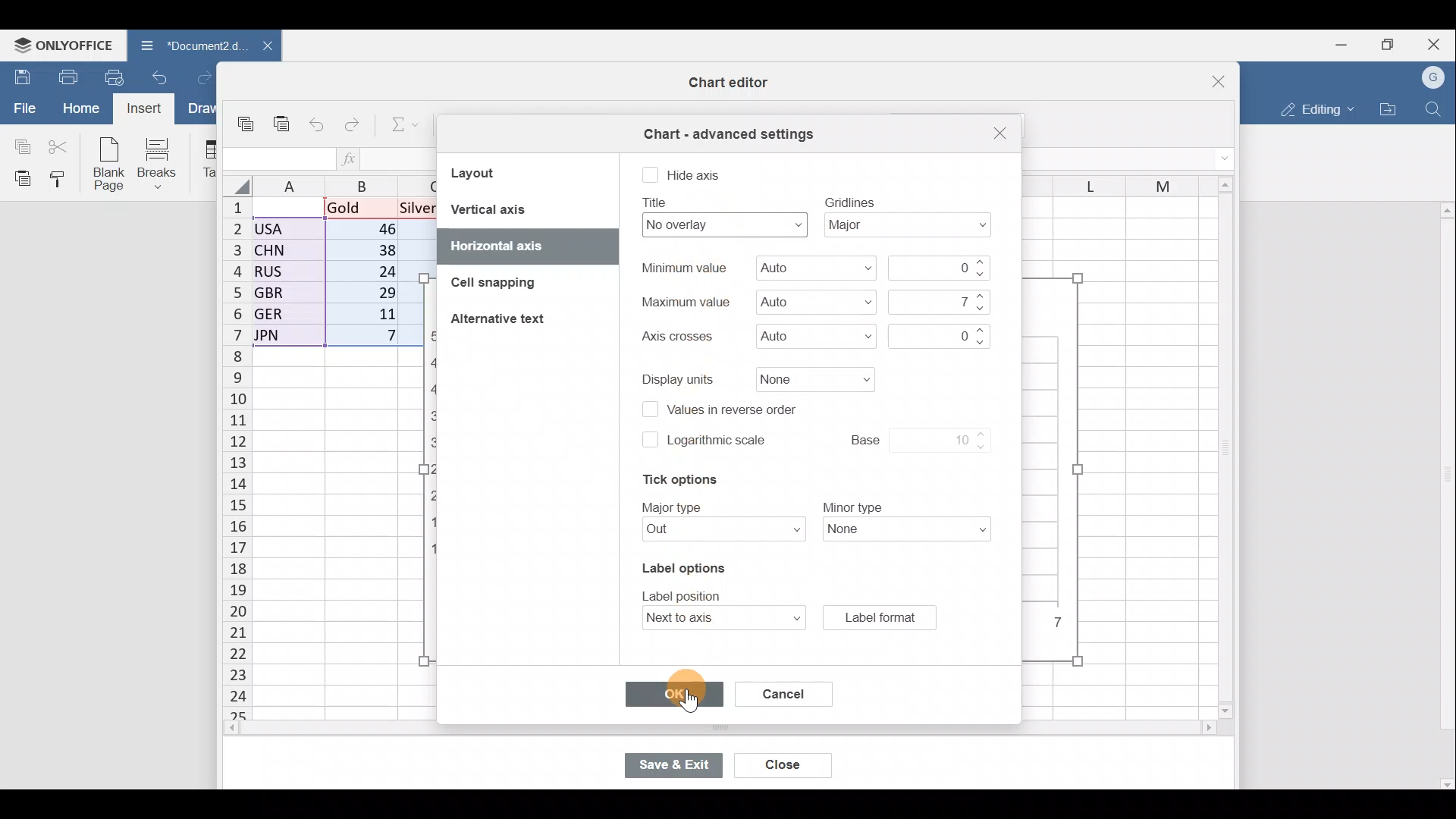  What do you see at coordinates (688, 730) in the screenshot?
I see `Scroll bar` at bounding box center [688, 730].